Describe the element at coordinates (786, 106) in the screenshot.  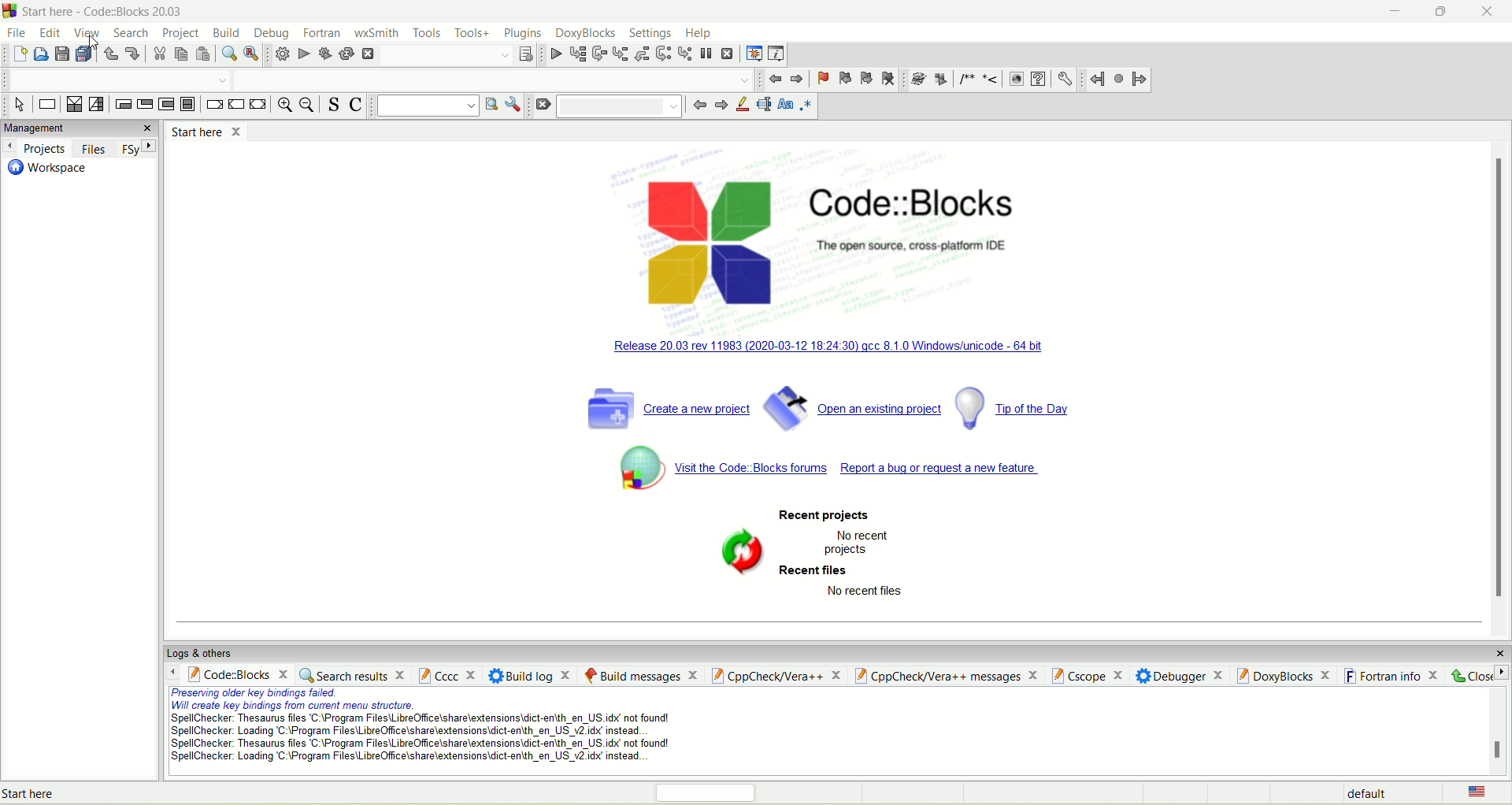
I see `match case` at that location.